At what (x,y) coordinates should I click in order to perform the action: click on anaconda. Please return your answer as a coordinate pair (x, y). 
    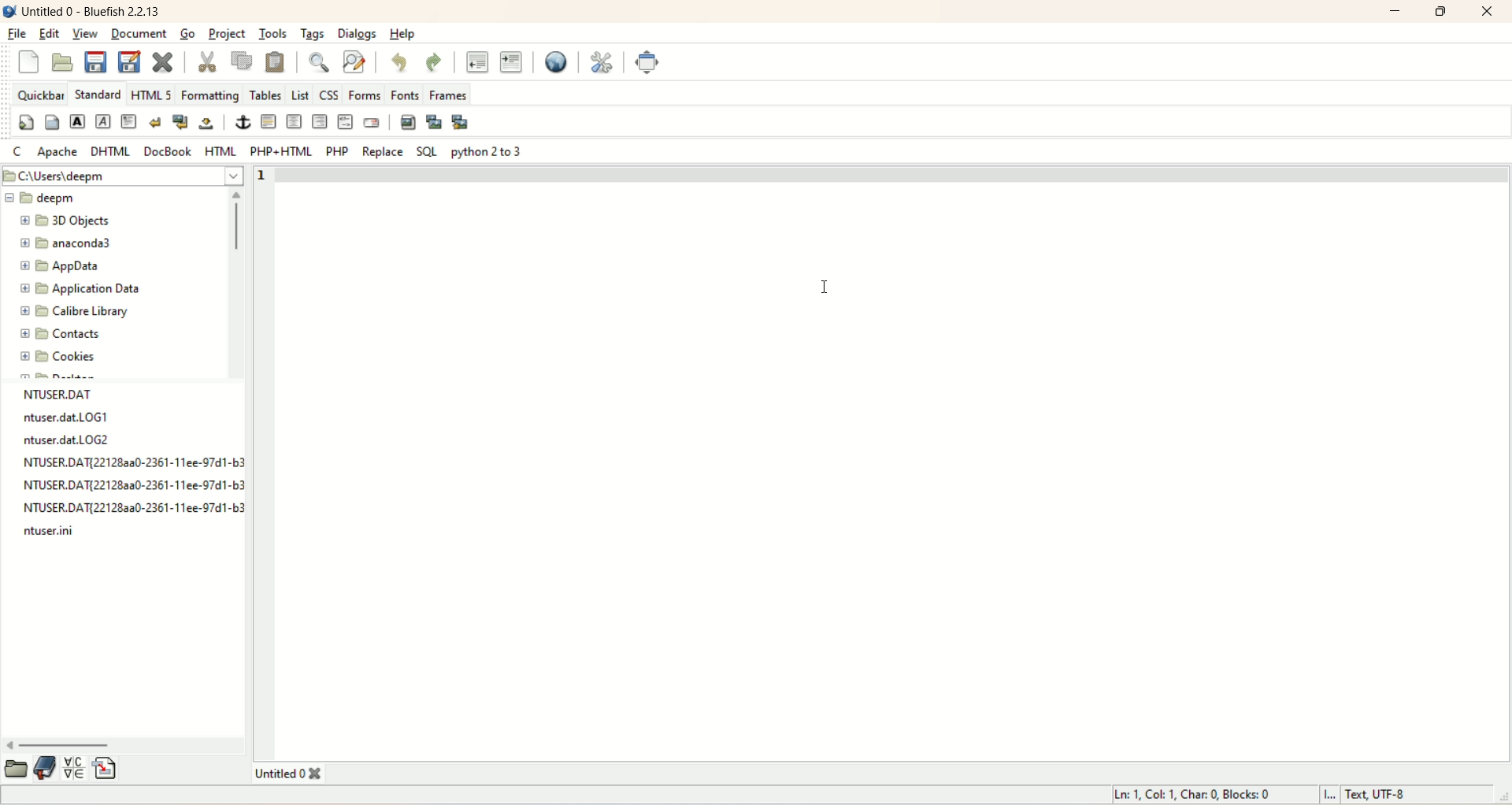
    Looking at the image, I should click on (70, 243).